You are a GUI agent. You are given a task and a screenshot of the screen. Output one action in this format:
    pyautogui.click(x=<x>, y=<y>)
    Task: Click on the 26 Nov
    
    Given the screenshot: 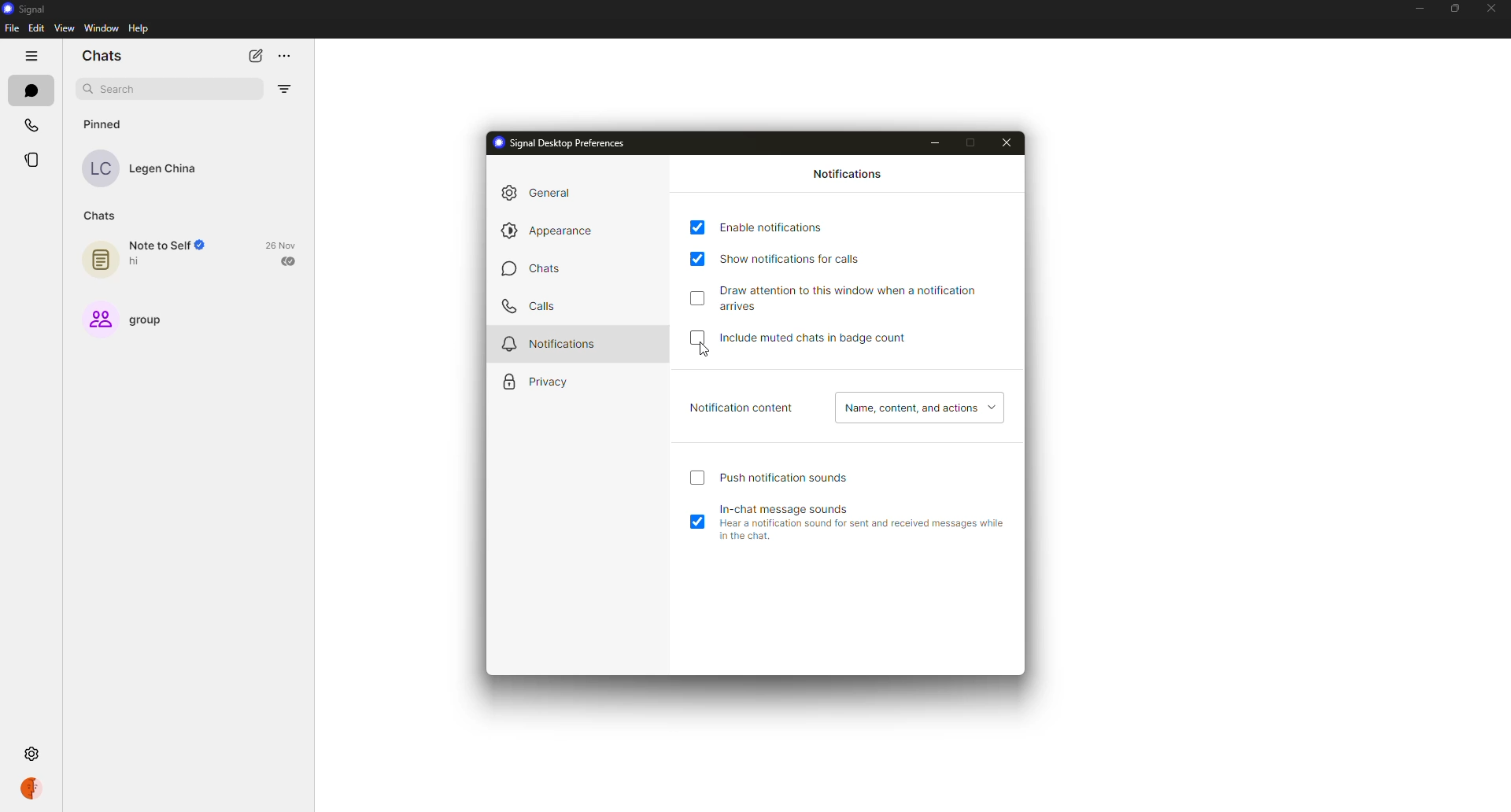 What is the action you would take?
    pyautogui.click(x=281, y=243)
    